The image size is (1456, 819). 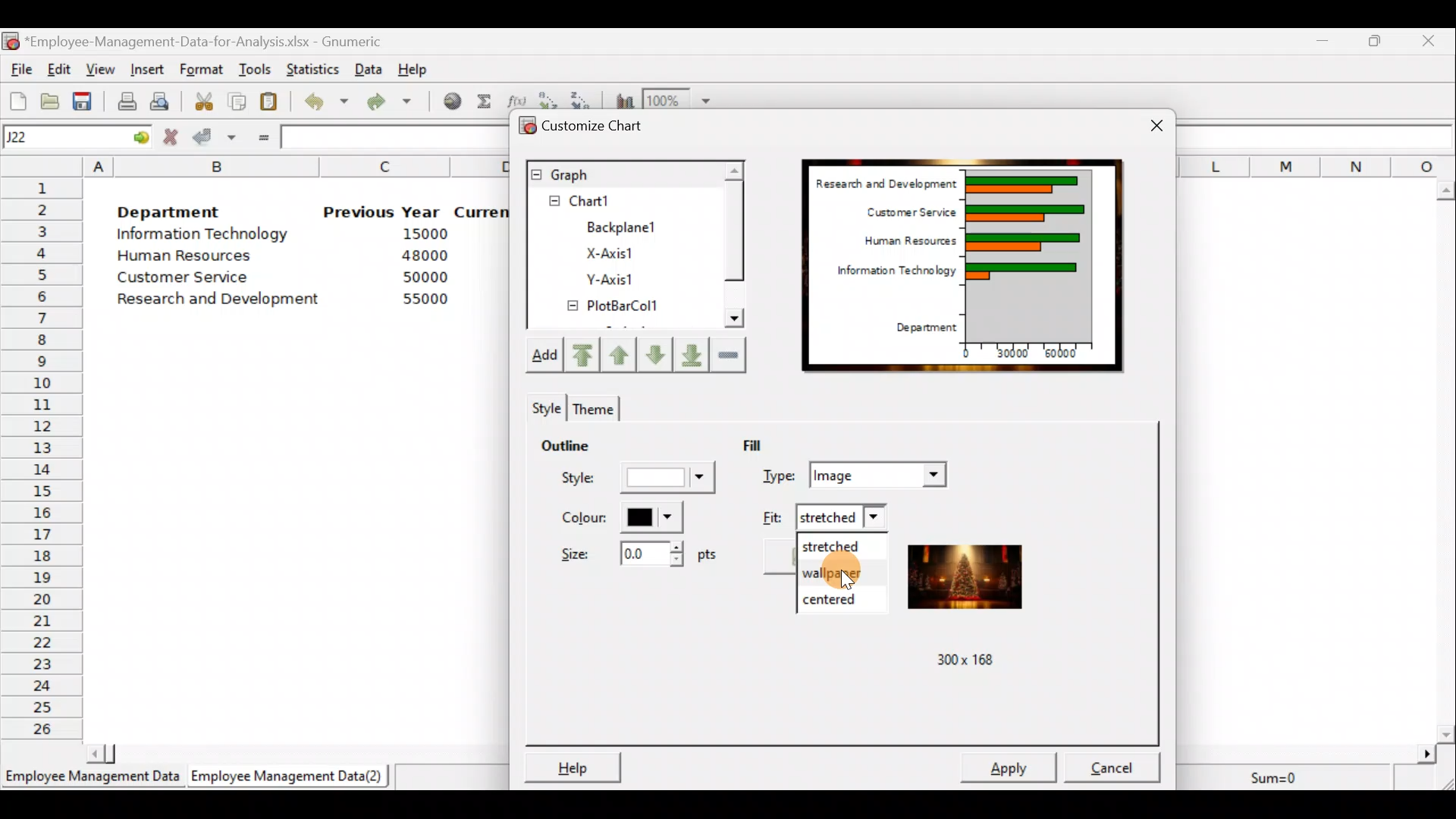 What do you see at coordinates (1147, 121) in the screenshot?
I see `Close` at bounding box center [1147, 121].